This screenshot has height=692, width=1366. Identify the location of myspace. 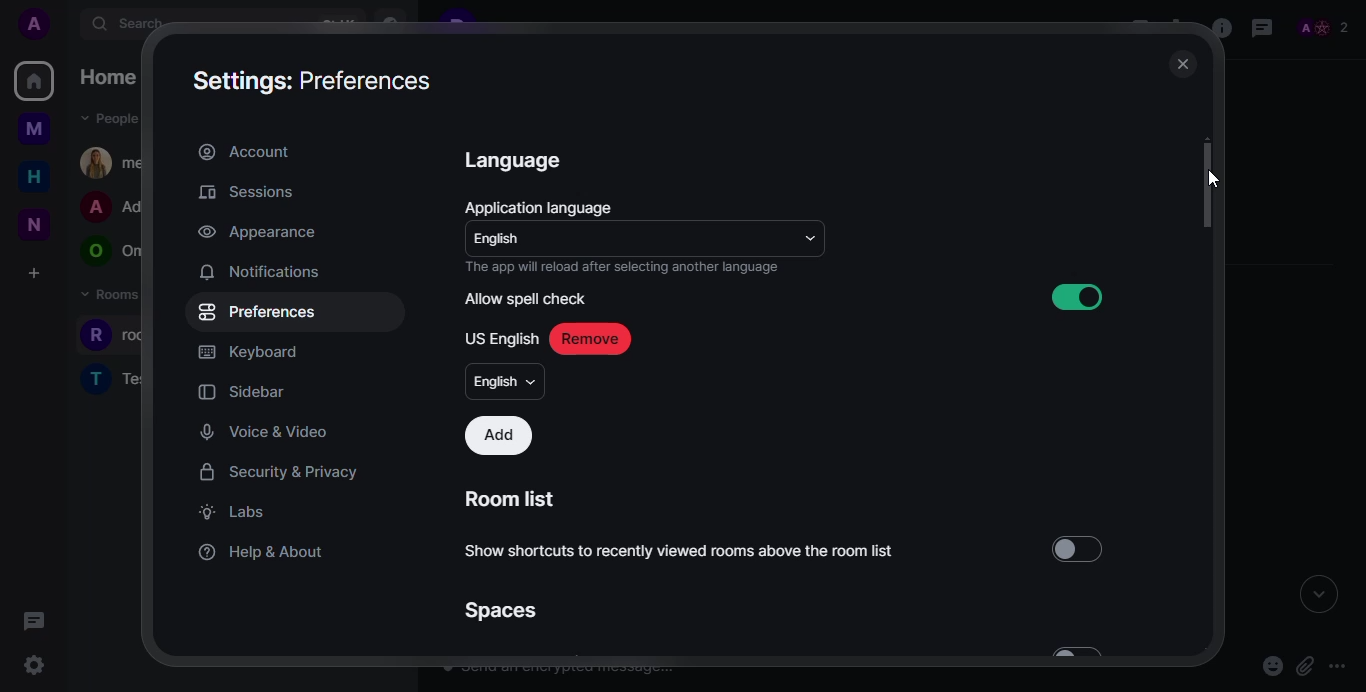
(33, 131).